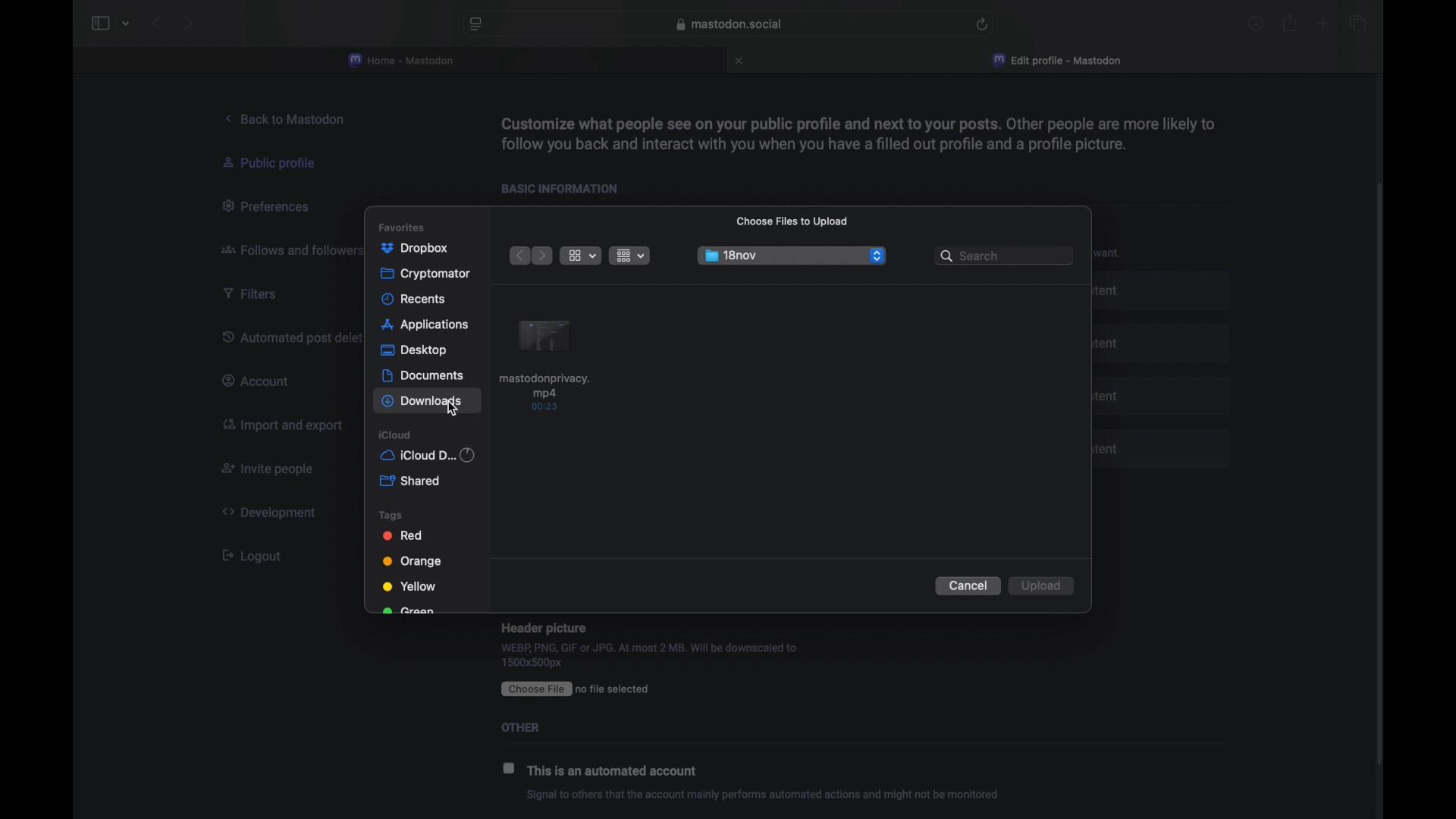 The image size is (1456, 819). I want to click on 18nov, so click(731, 256).